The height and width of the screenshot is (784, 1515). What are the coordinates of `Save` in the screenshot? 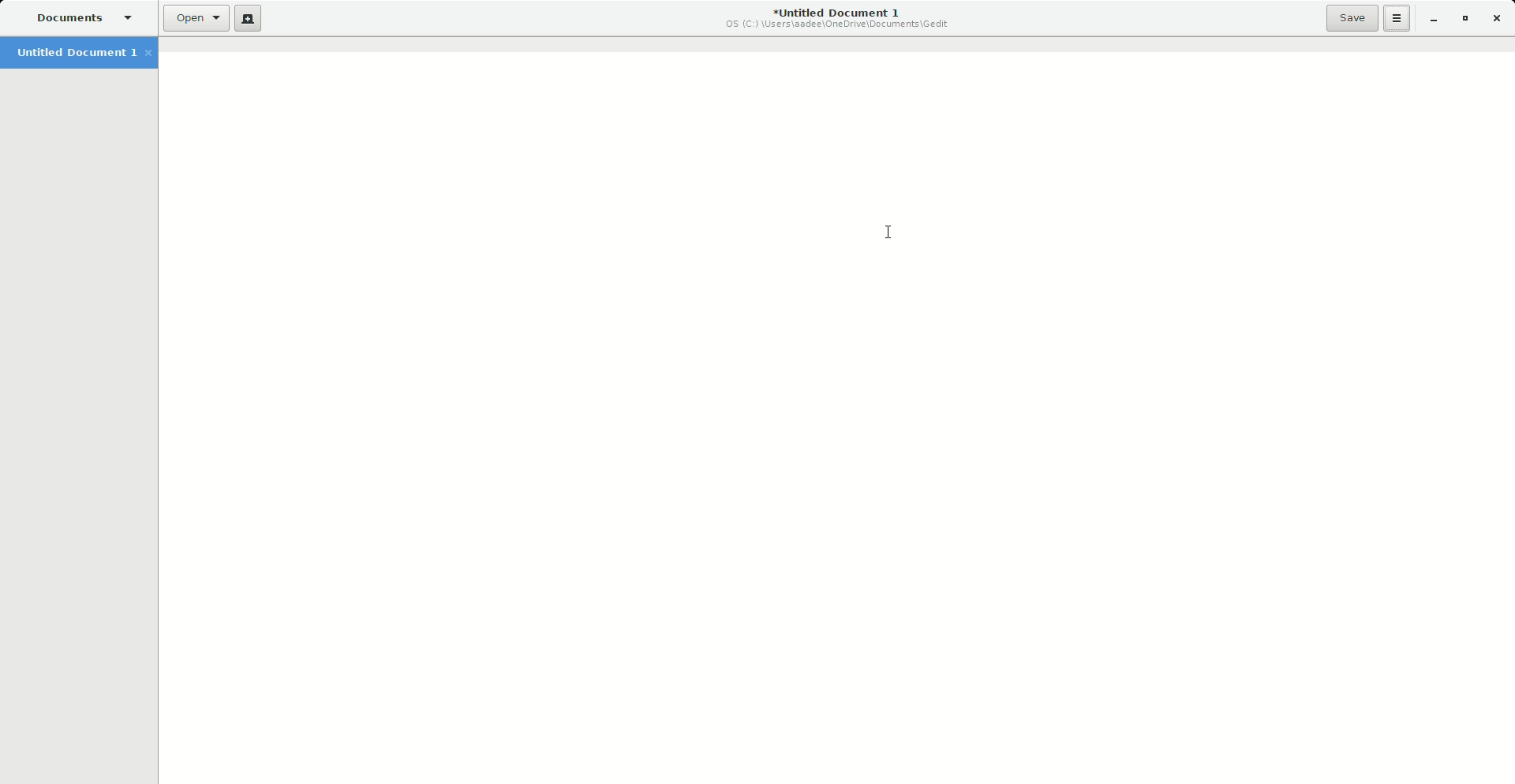 It's located at (1346, 18).